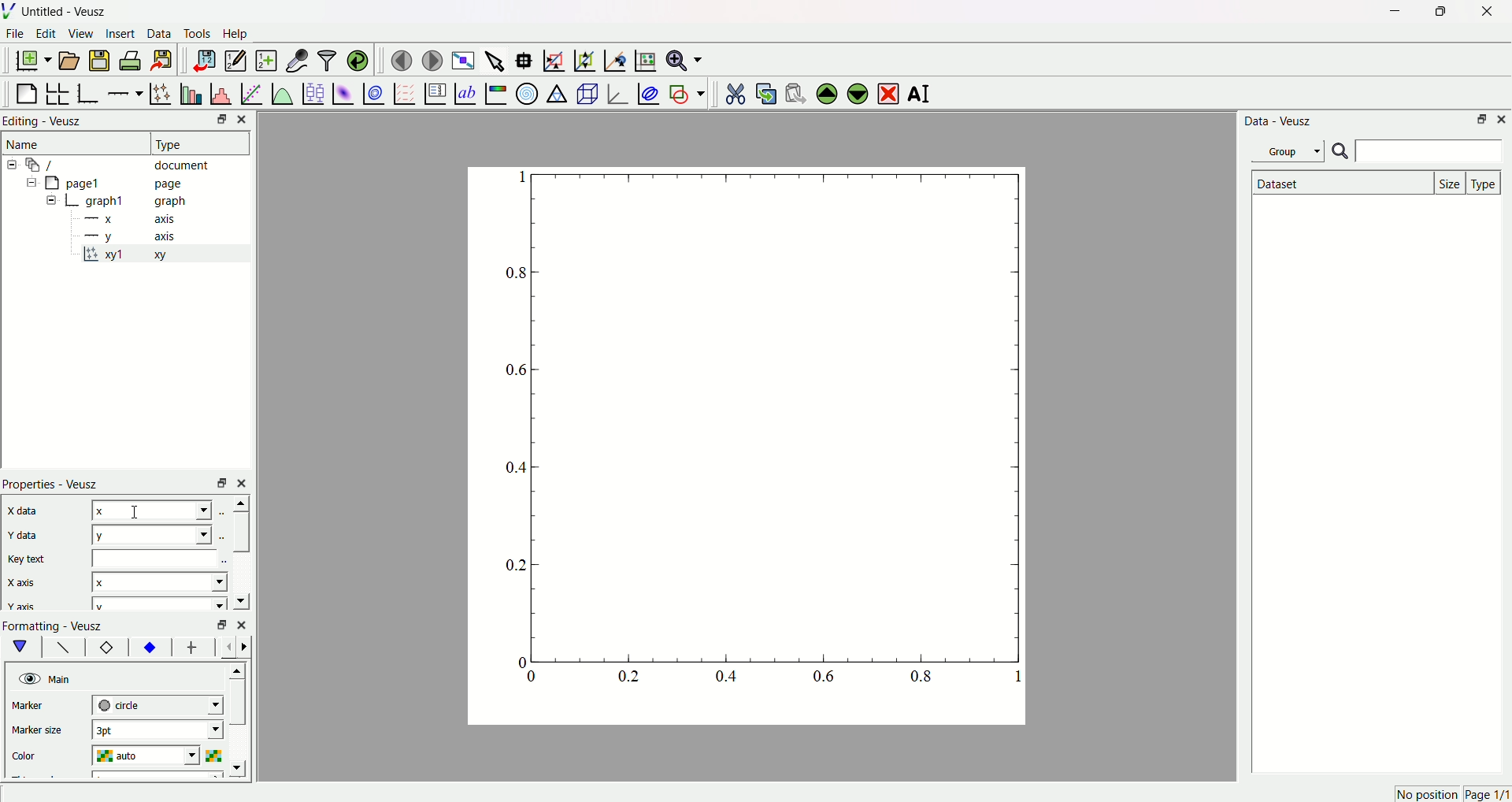 This screenshot has height=802, width=1512. Describe the element at coordinates (220, 91) in the screenshot. I see `histogram` at that location.